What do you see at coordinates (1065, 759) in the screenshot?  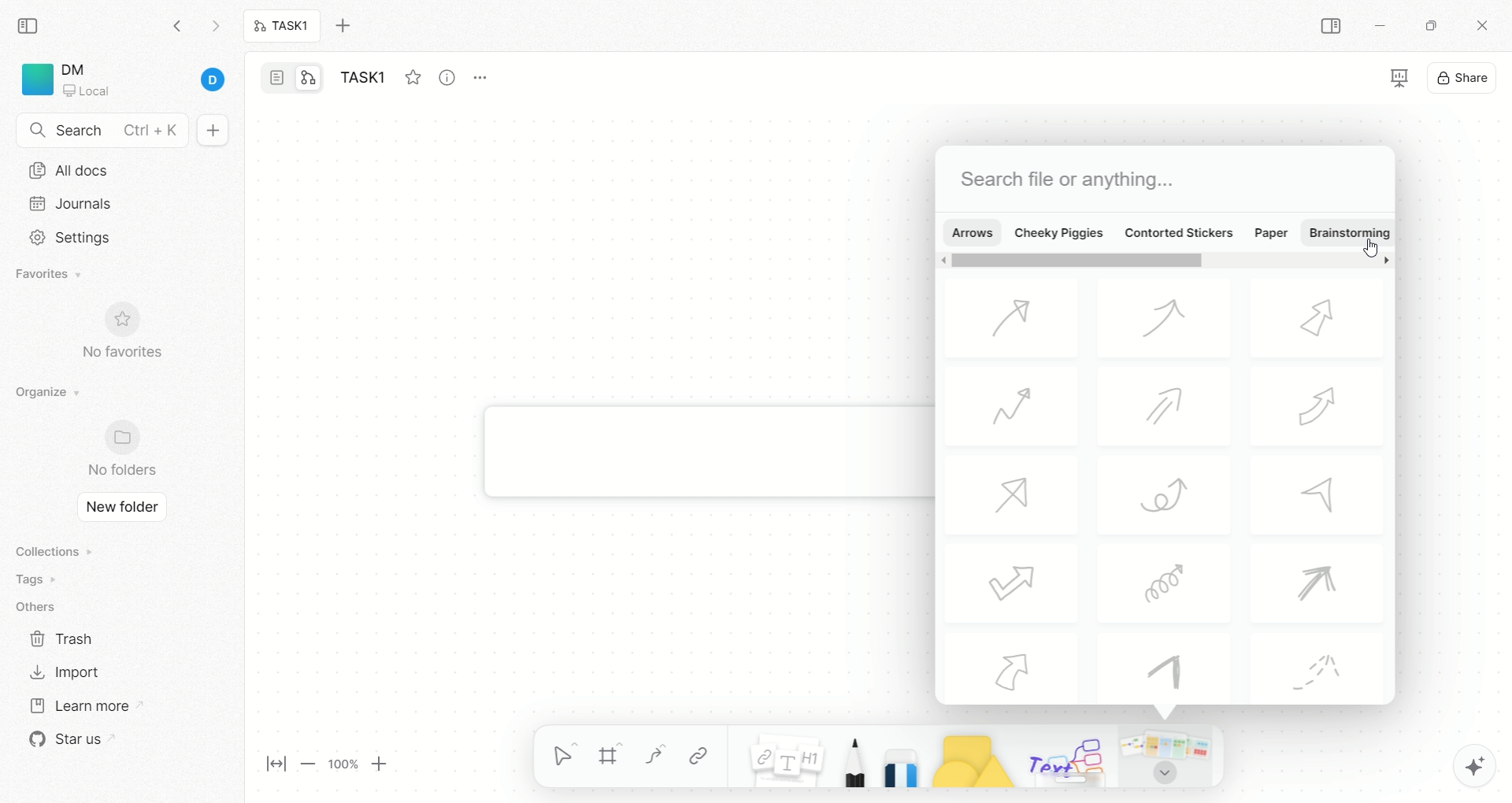 I see `text` at bounding box center [1065, 759].